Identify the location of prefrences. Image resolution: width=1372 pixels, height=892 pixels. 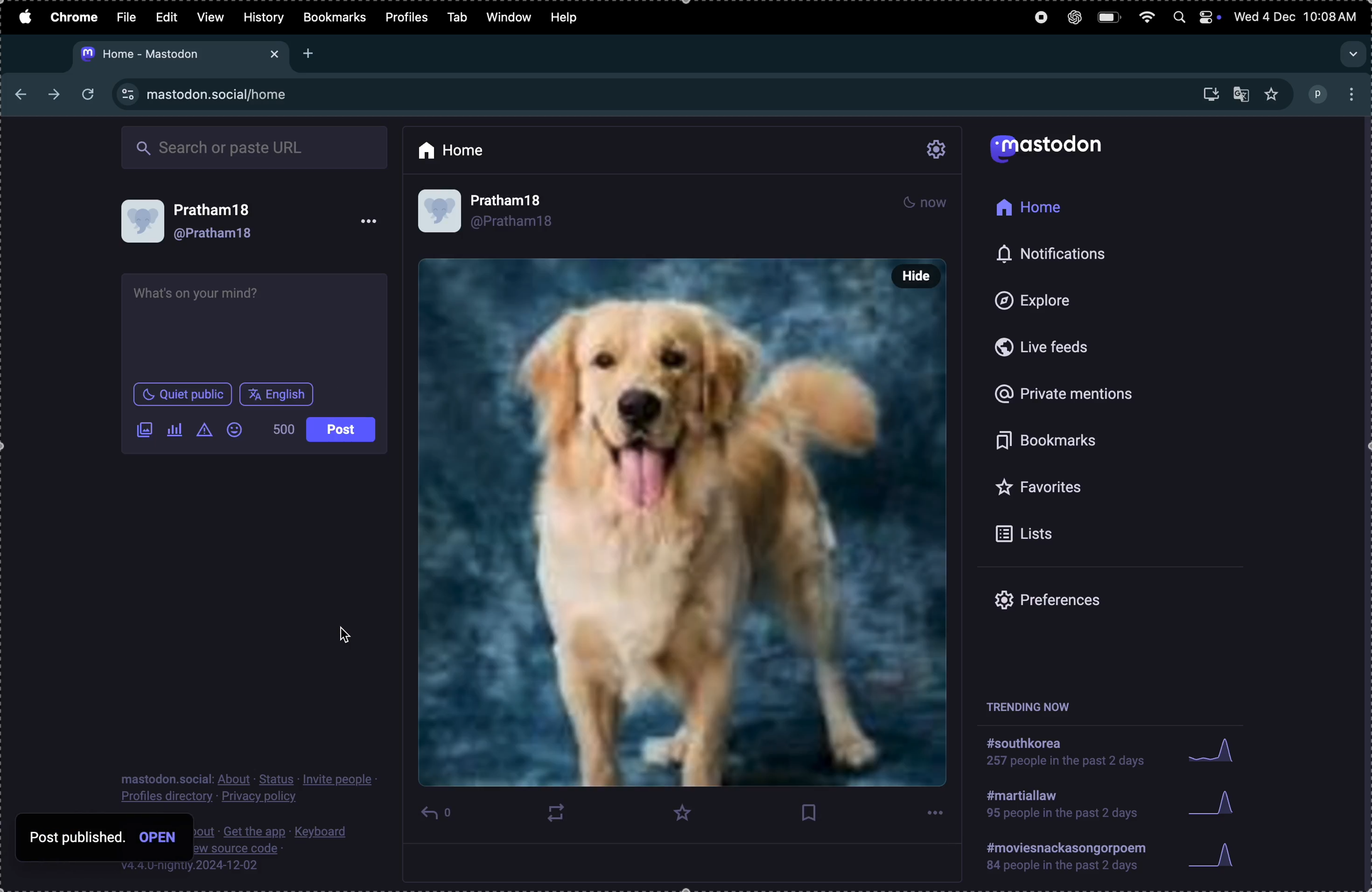
(1050, 598).